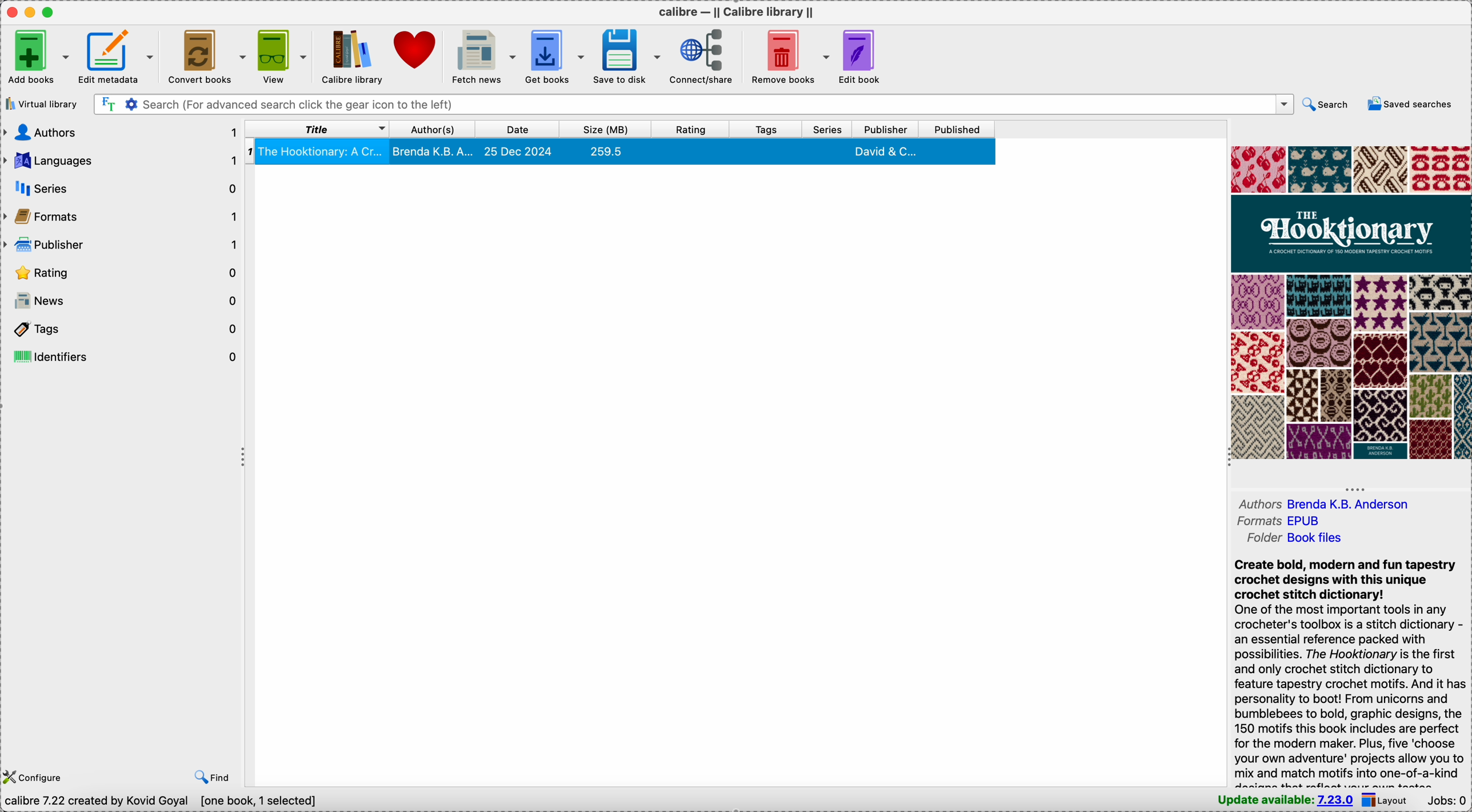 The width and height of the screenshot is (1472, 812). What do you see at coordinates (1324, 503) in the screenshot?
I see `authors` at bounding box center [1324, 503].